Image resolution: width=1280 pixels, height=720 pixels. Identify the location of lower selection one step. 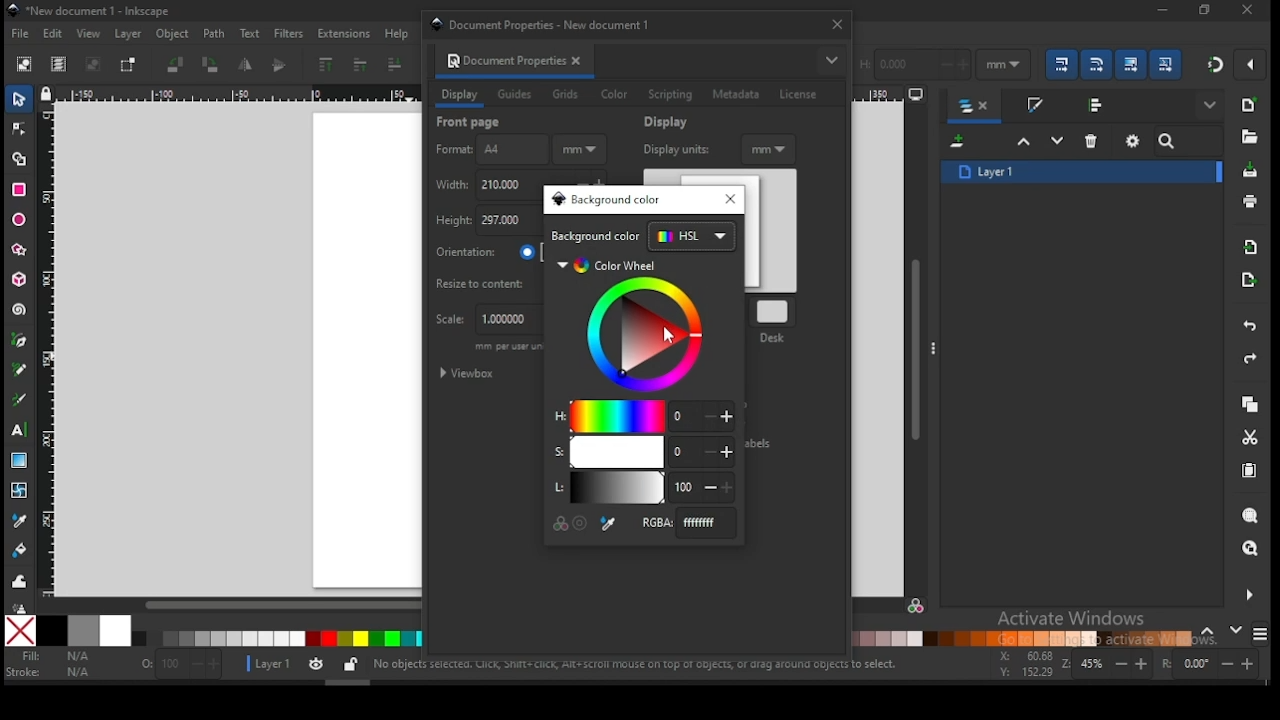
(1057, 141).